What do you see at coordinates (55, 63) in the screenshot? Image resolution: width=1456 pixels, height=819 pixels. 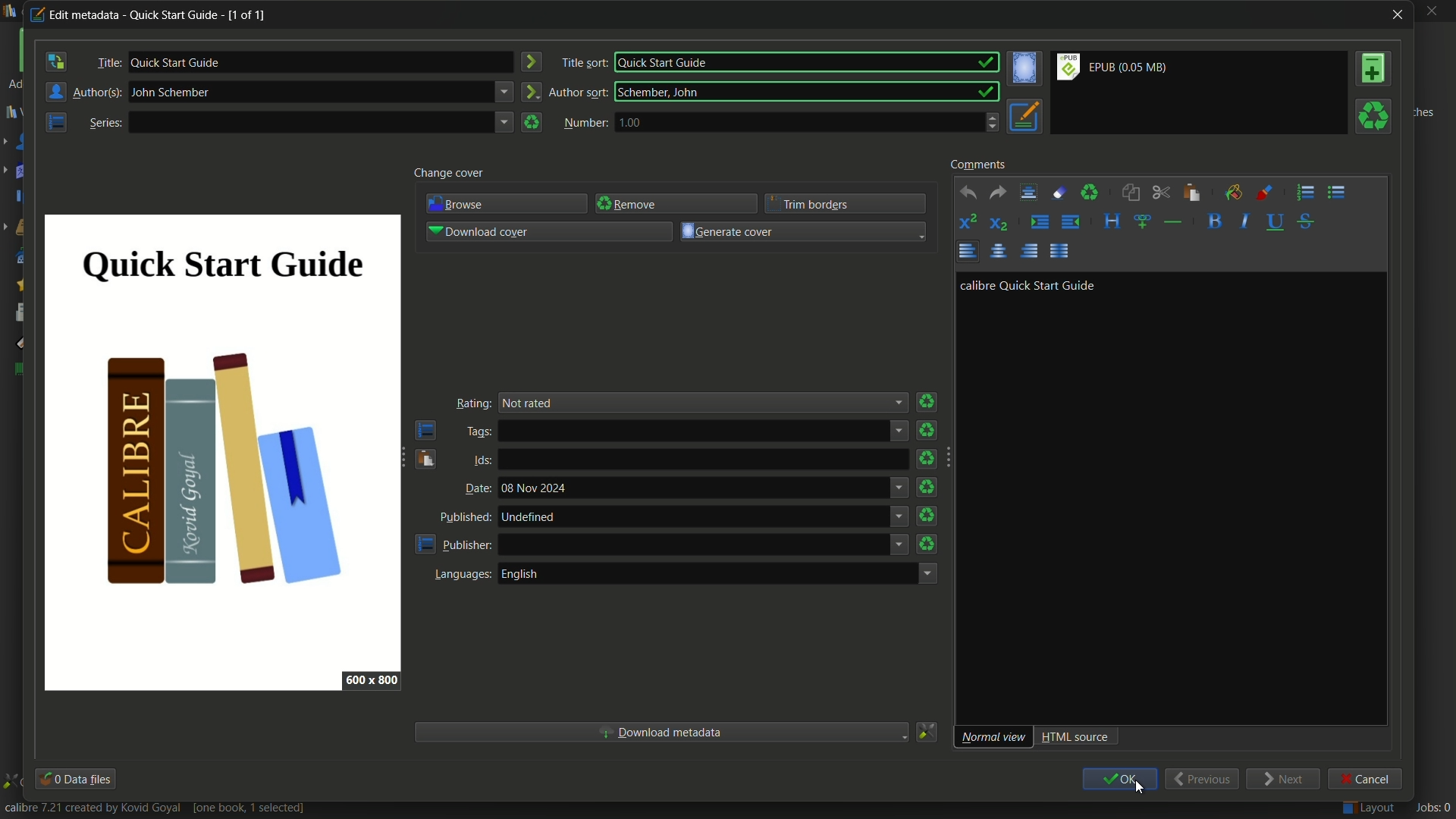 I see `swipe the author and title` at bounding box center [55, 63].